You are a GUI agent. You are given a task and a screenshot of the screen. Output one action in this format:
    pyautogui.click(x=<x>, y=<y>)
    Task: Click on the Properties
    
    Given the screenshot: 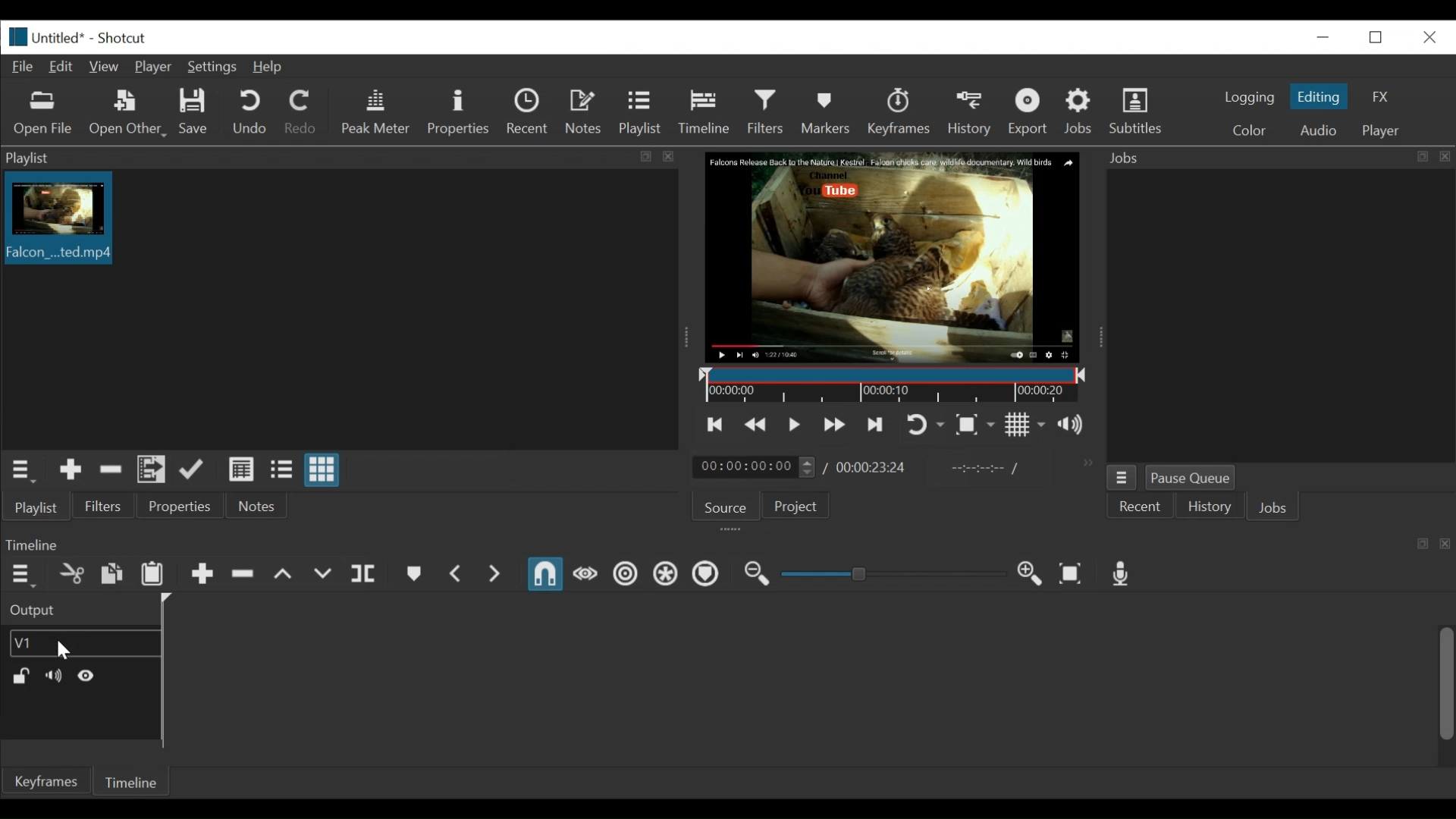 What is the action you would take?
    pyautogui.click(x=458, y=111)
    